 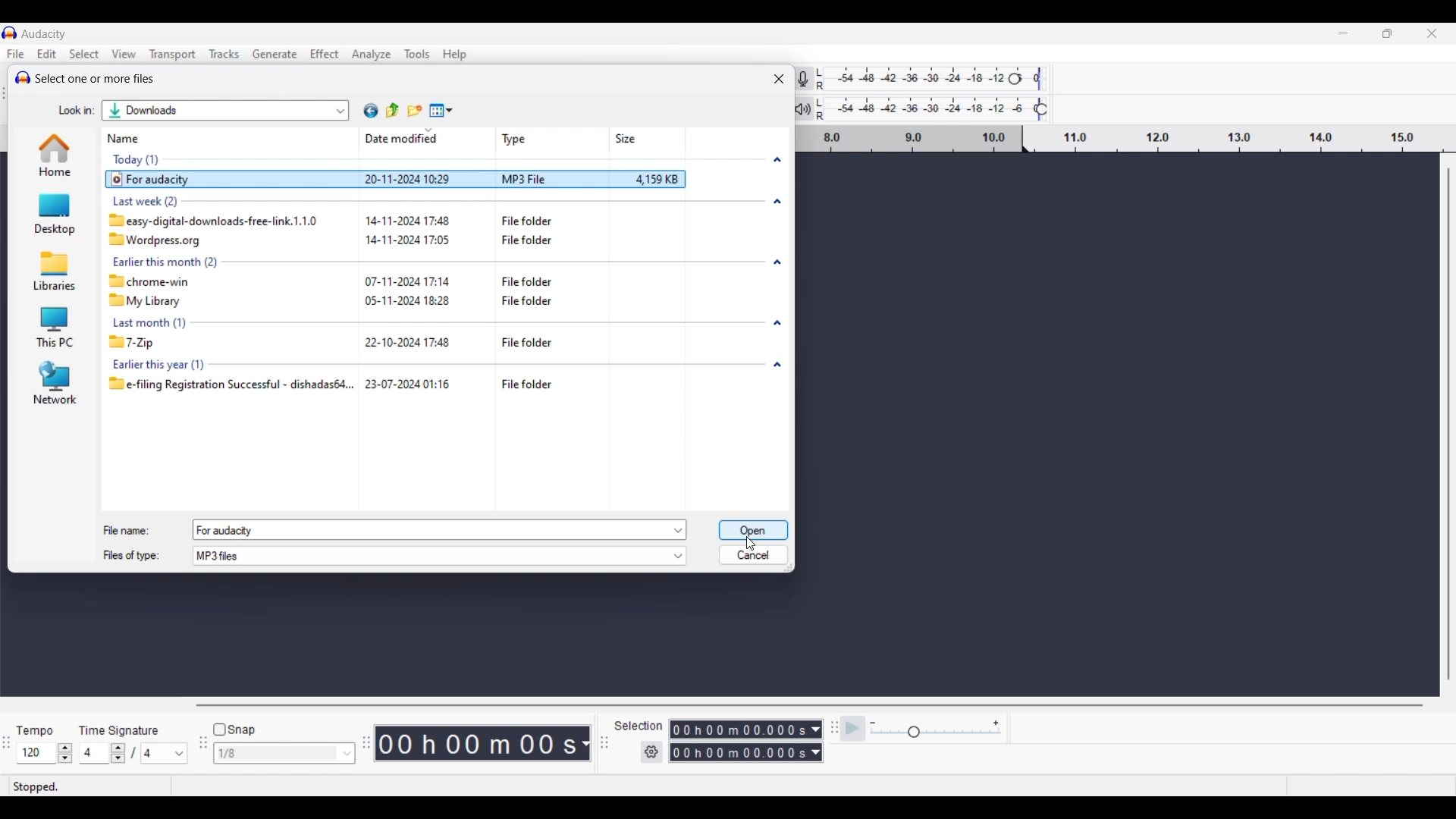 What do you see at coordinates (397, 111) in the screenshot?
I see `up one level` at bounding box center [397, 111].